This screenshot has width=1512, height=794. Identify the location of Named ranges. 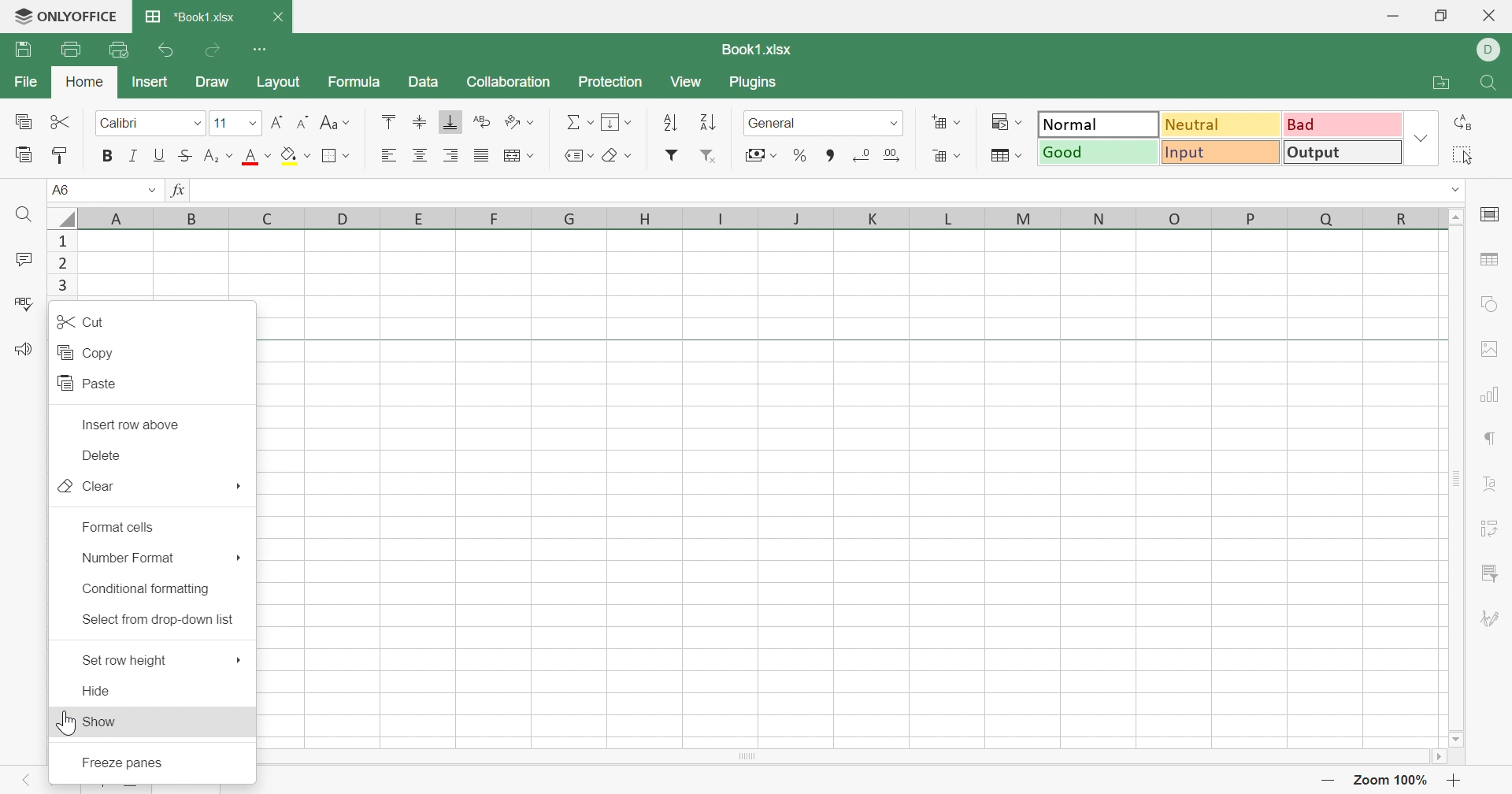
(580, 155).